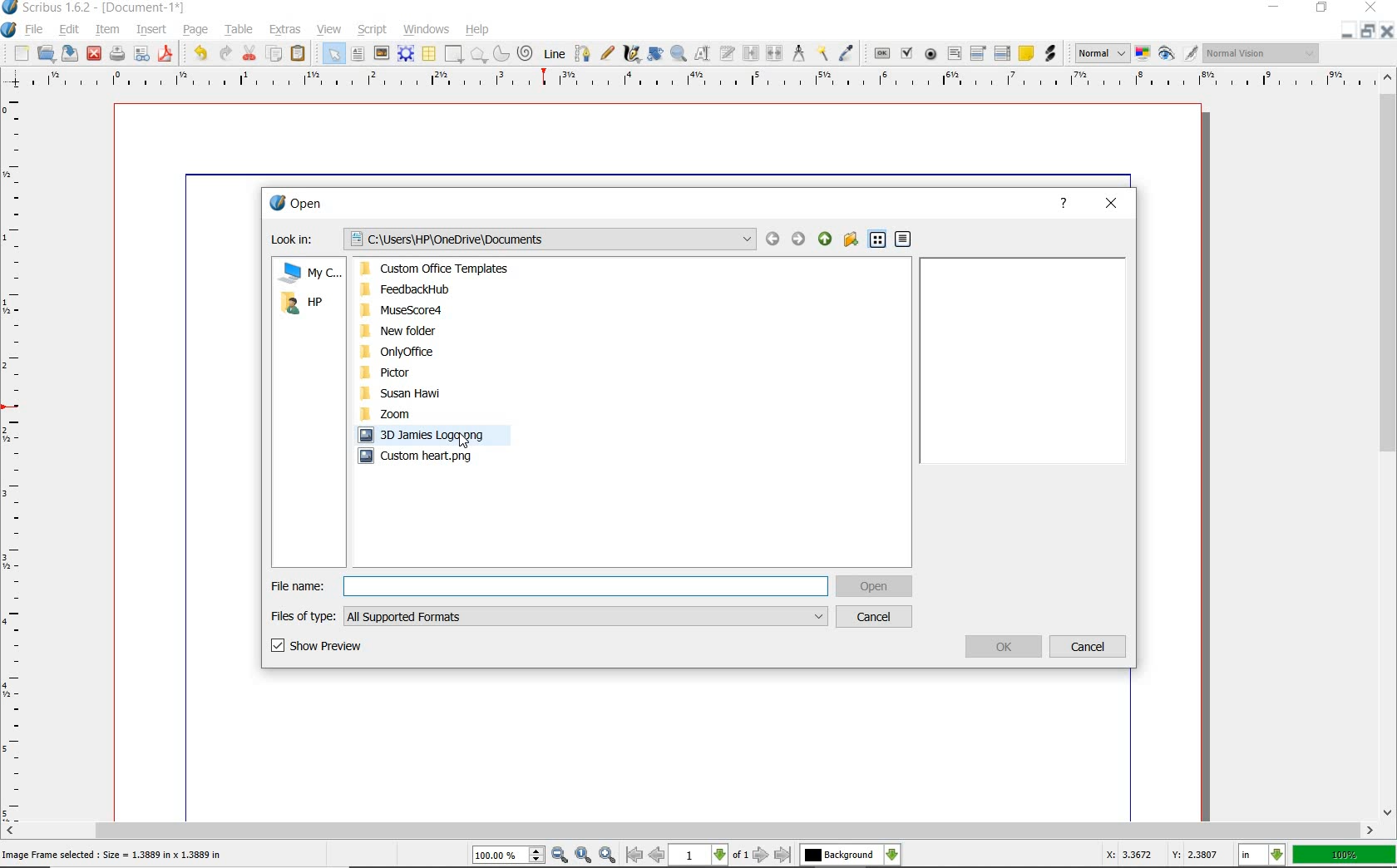 This screenshot has height=868, width=1397. What do you see at coordinates (429, 28) in the screenshot?
I see `windows` at bounding box center [429, 28].